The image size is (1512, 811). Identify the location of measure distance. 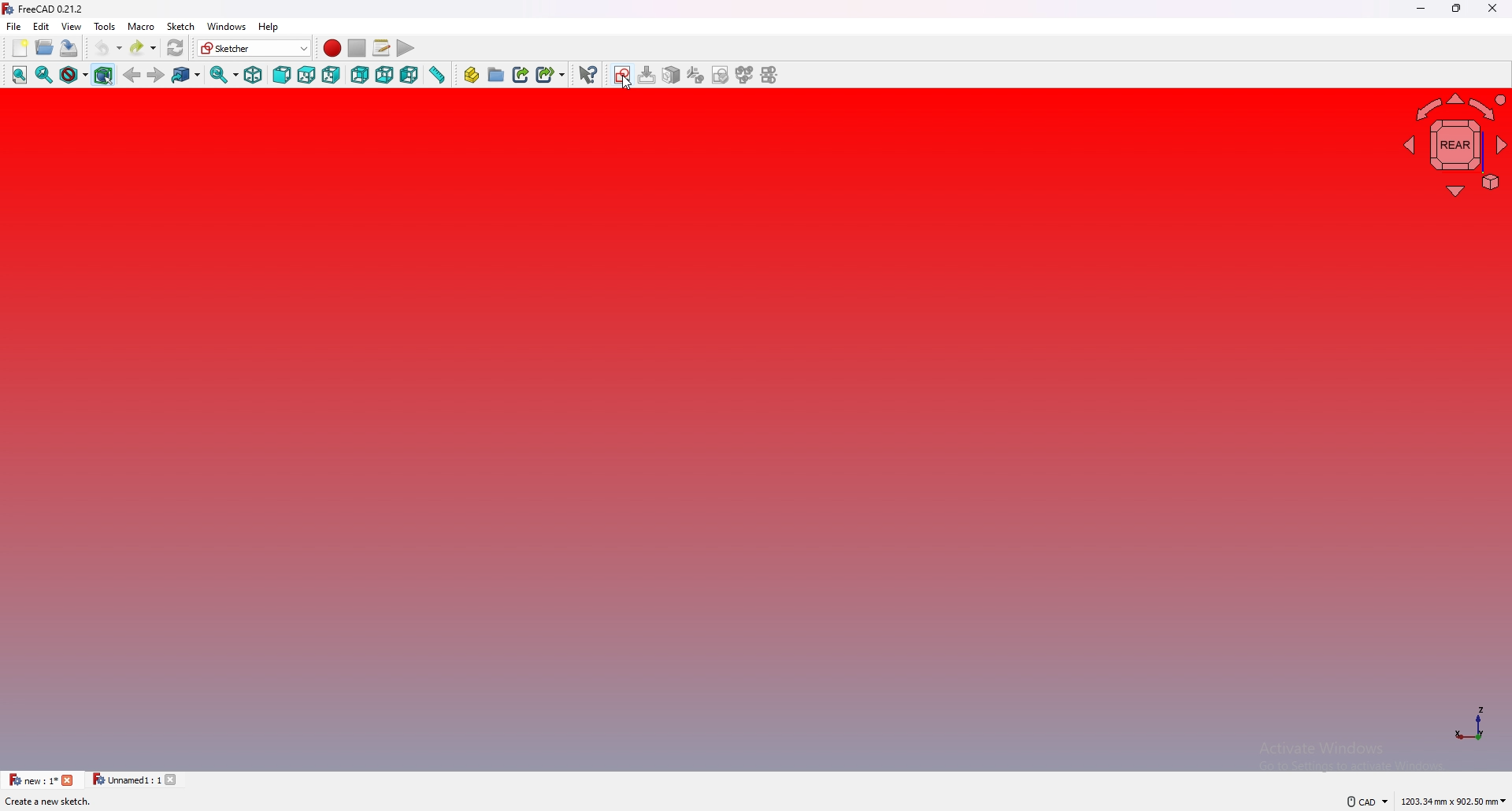
(437, 74).